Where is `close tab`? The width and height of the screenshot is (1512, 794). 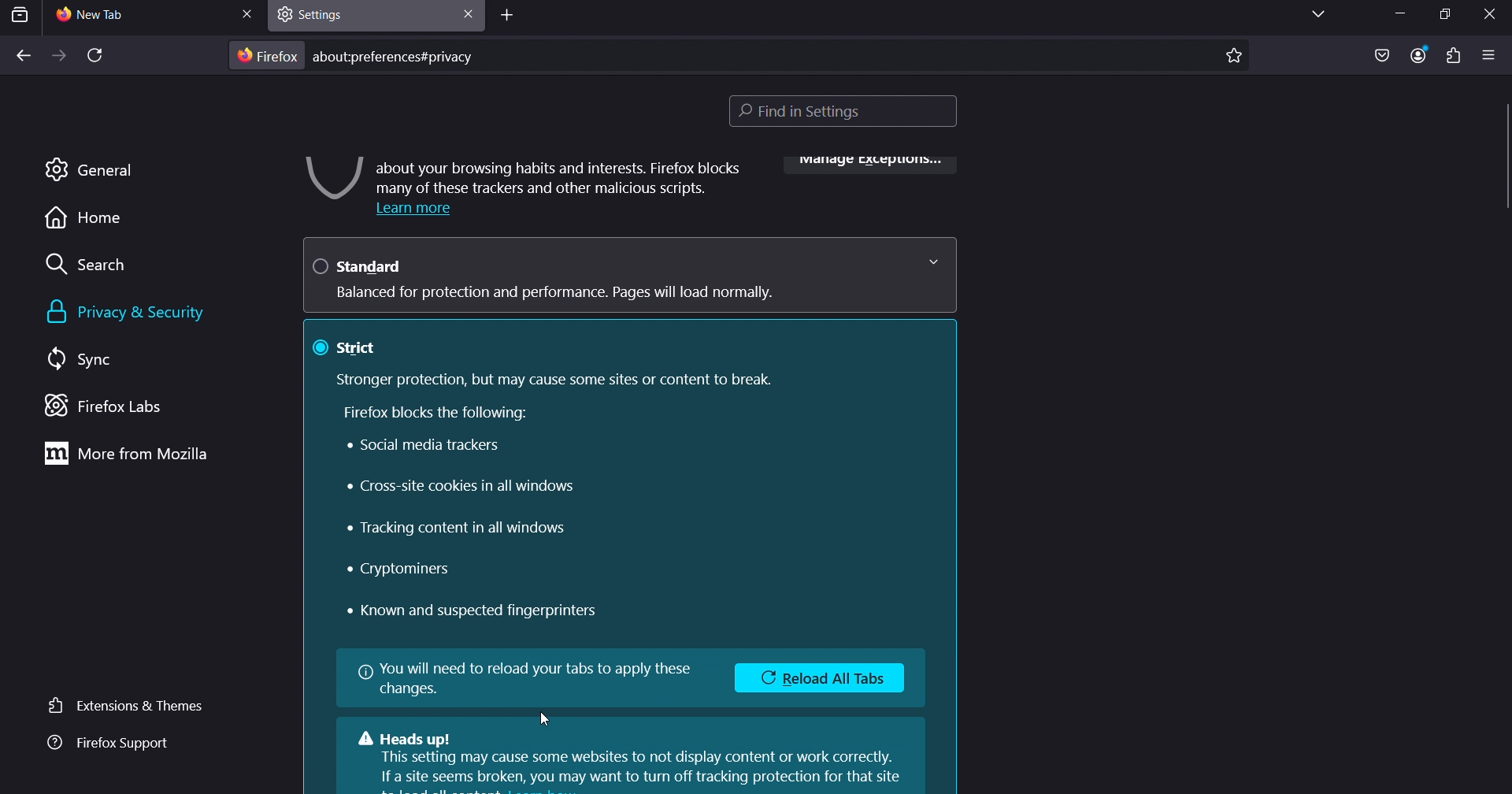
close tab is located at coordinates (465, 13).